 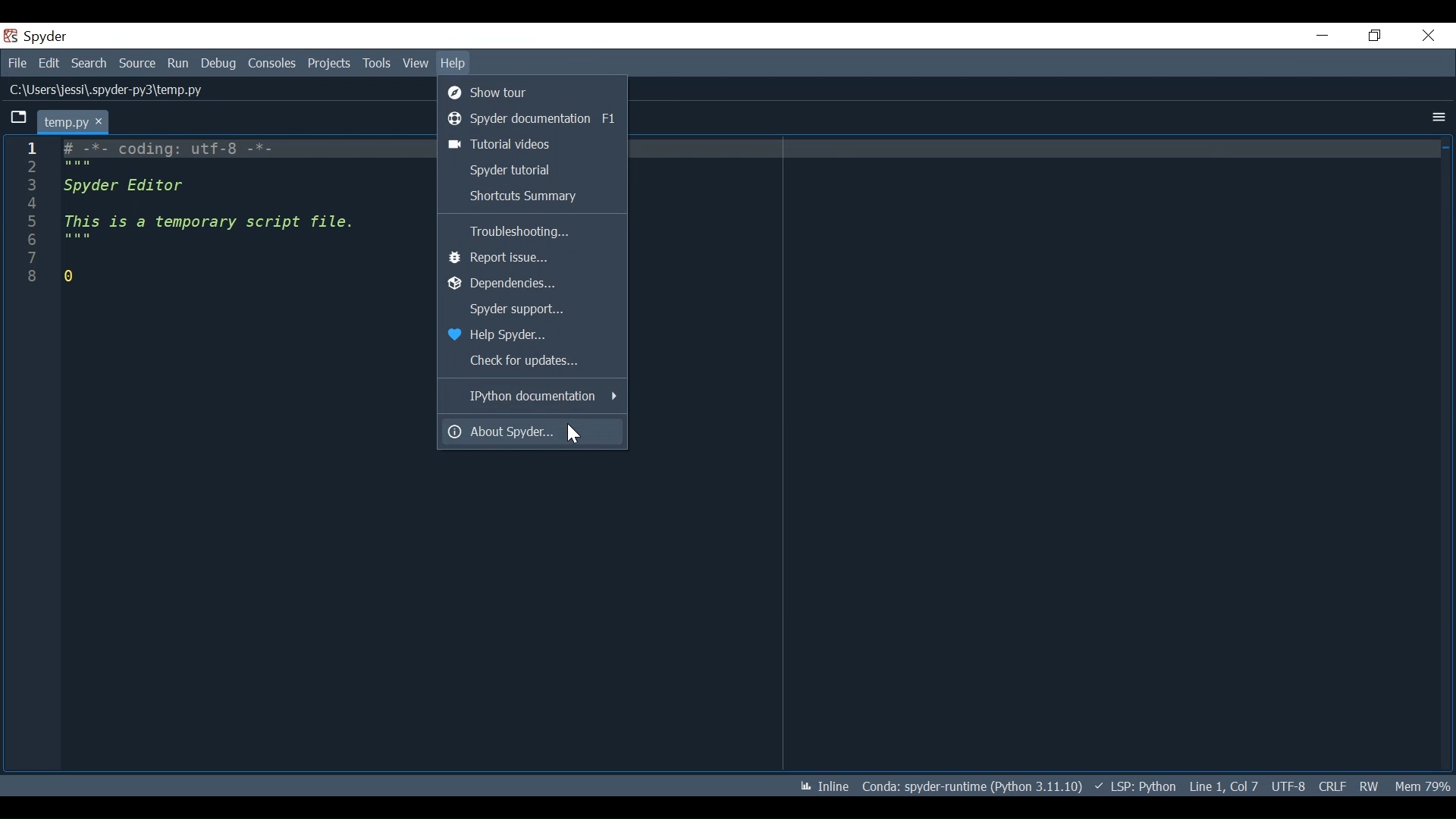 I want to click on Cursor, so click(x=576, y=434).